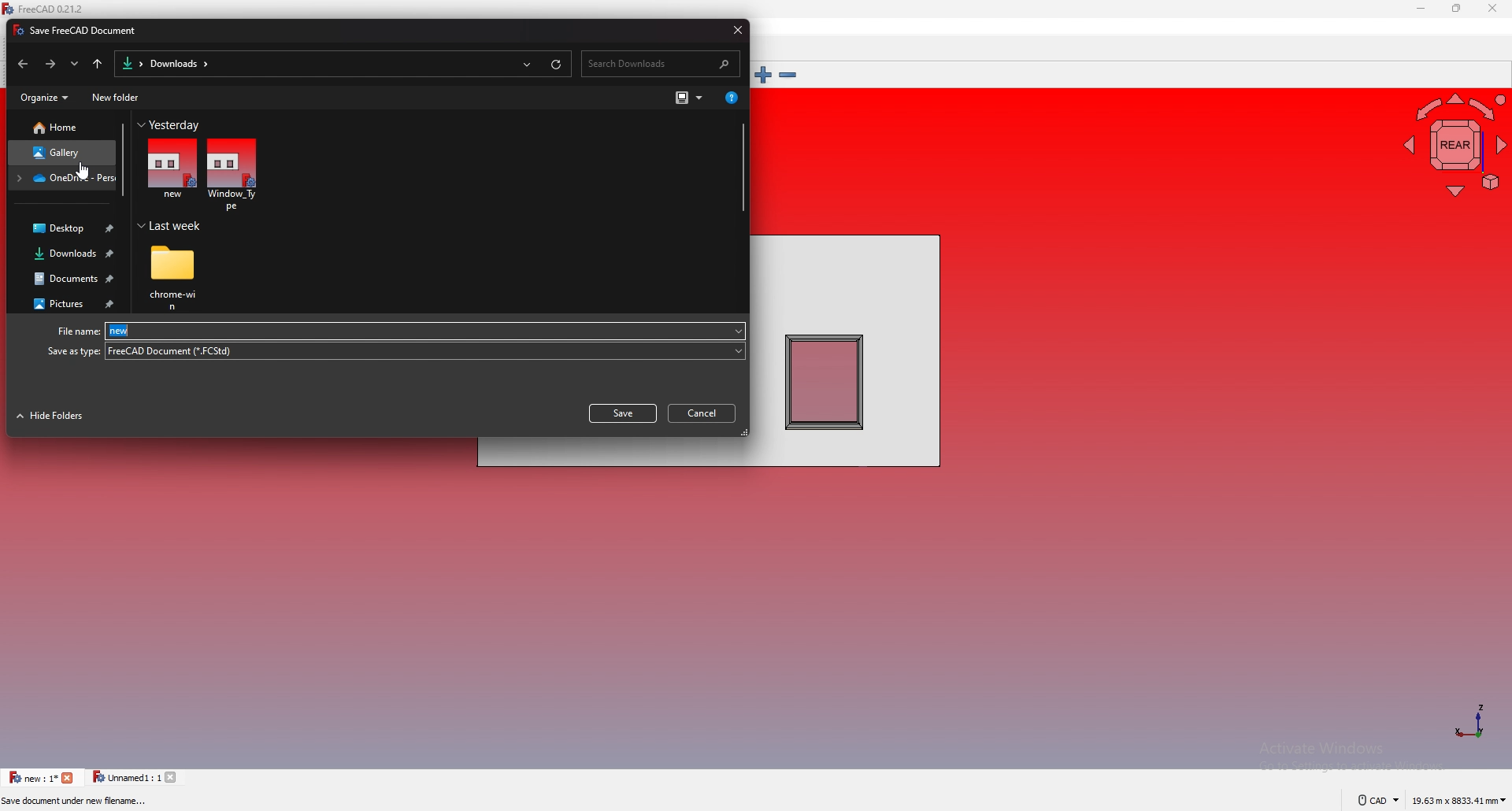 This screenshot has width=1512, height=811. Describe the element at coordinates (1458, 8) in the screenshot. I see `resize` at that location.